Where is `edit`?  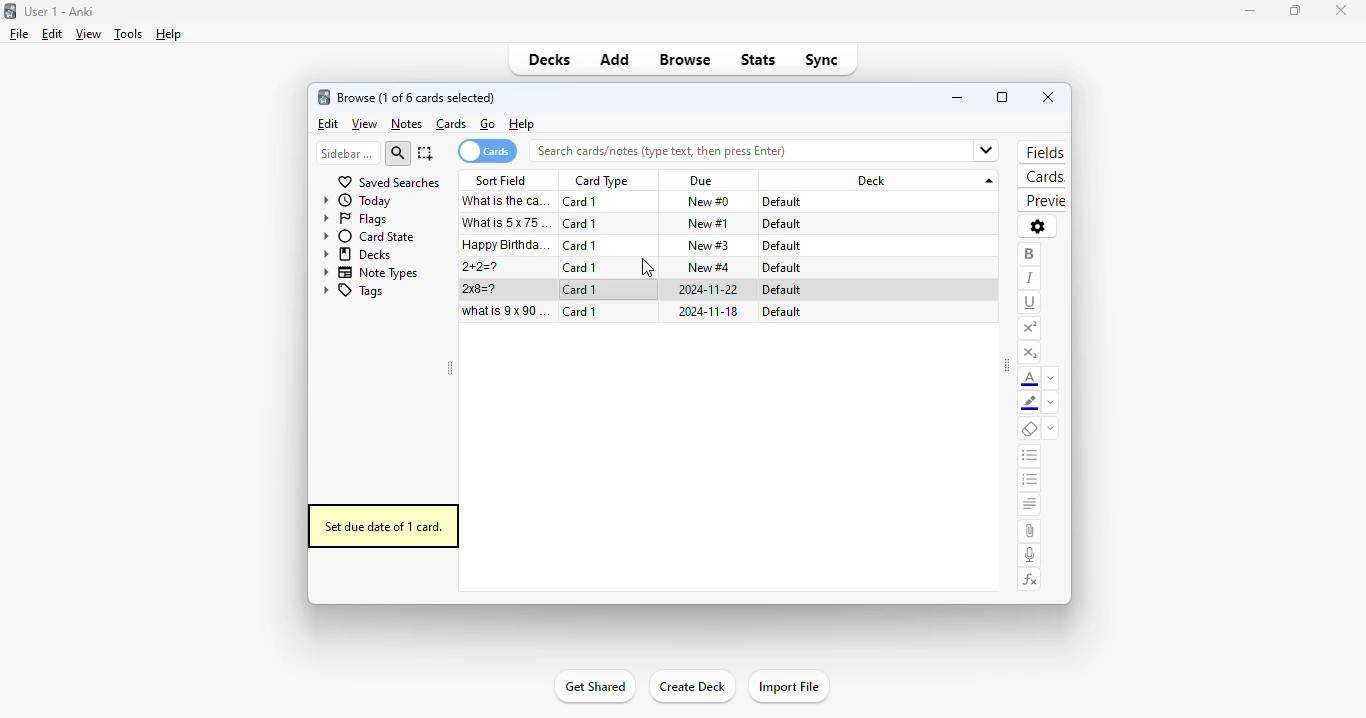 edit is located at coordinates (327, 124).